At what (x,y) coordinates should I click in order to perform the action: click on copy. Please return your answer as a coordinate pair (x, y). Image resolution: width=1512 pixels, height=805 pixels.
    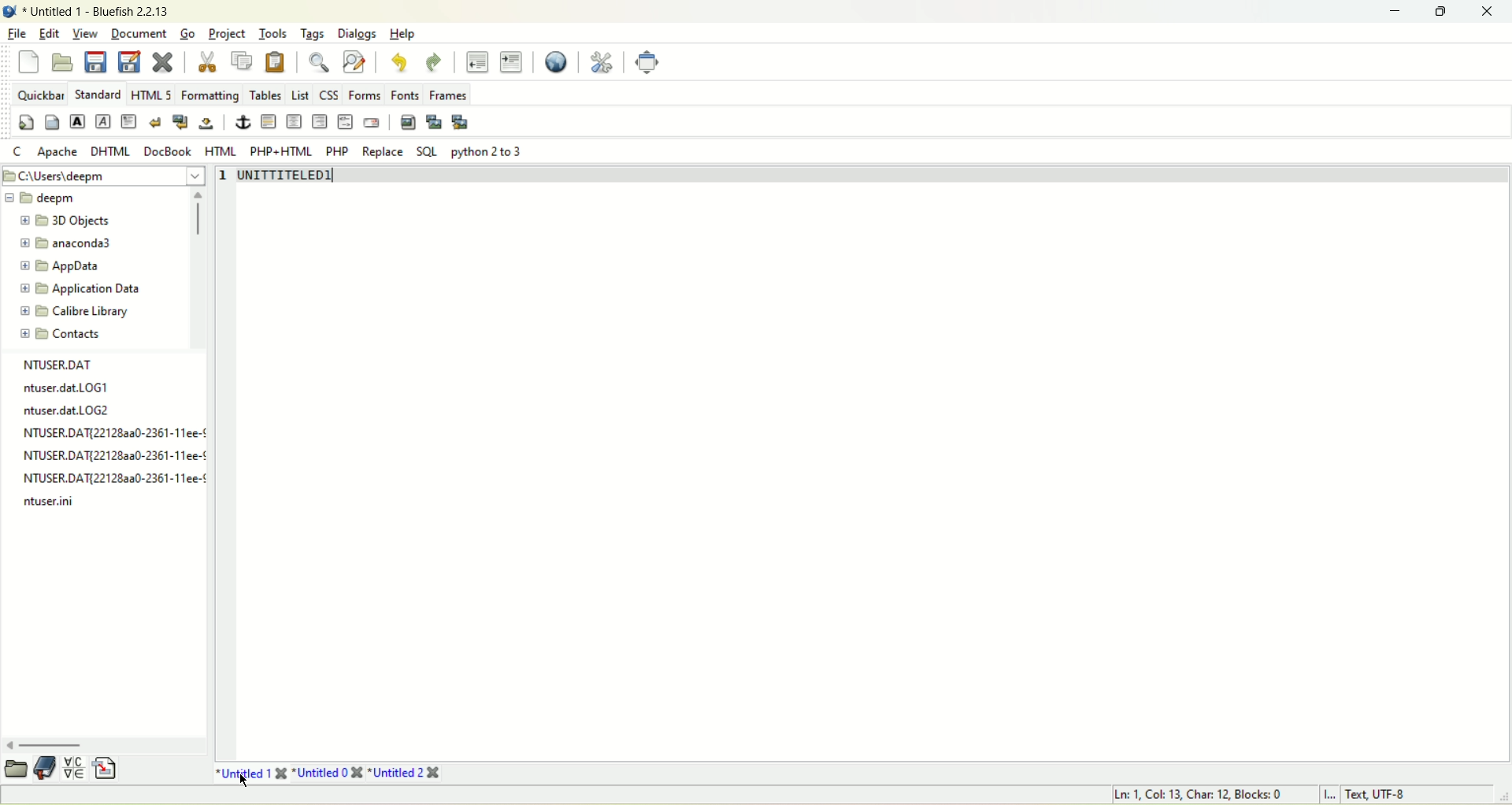
    Looking at the image, I should click on (244, 61).